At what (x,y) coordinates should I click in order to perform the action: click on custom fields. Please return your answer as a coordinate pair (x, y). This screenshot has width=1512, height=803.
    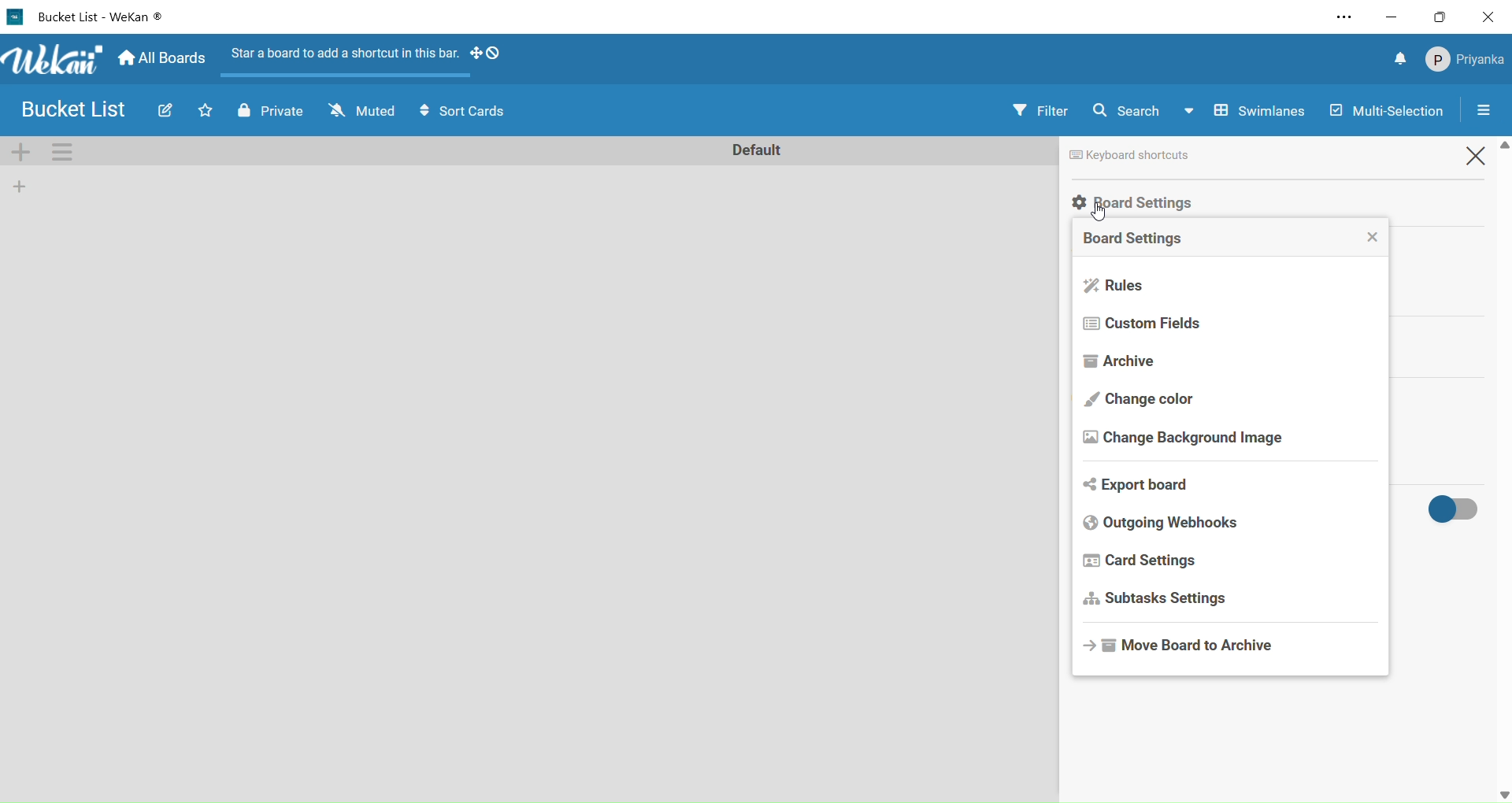
    Looking at the image, I should click on (1229, 322).